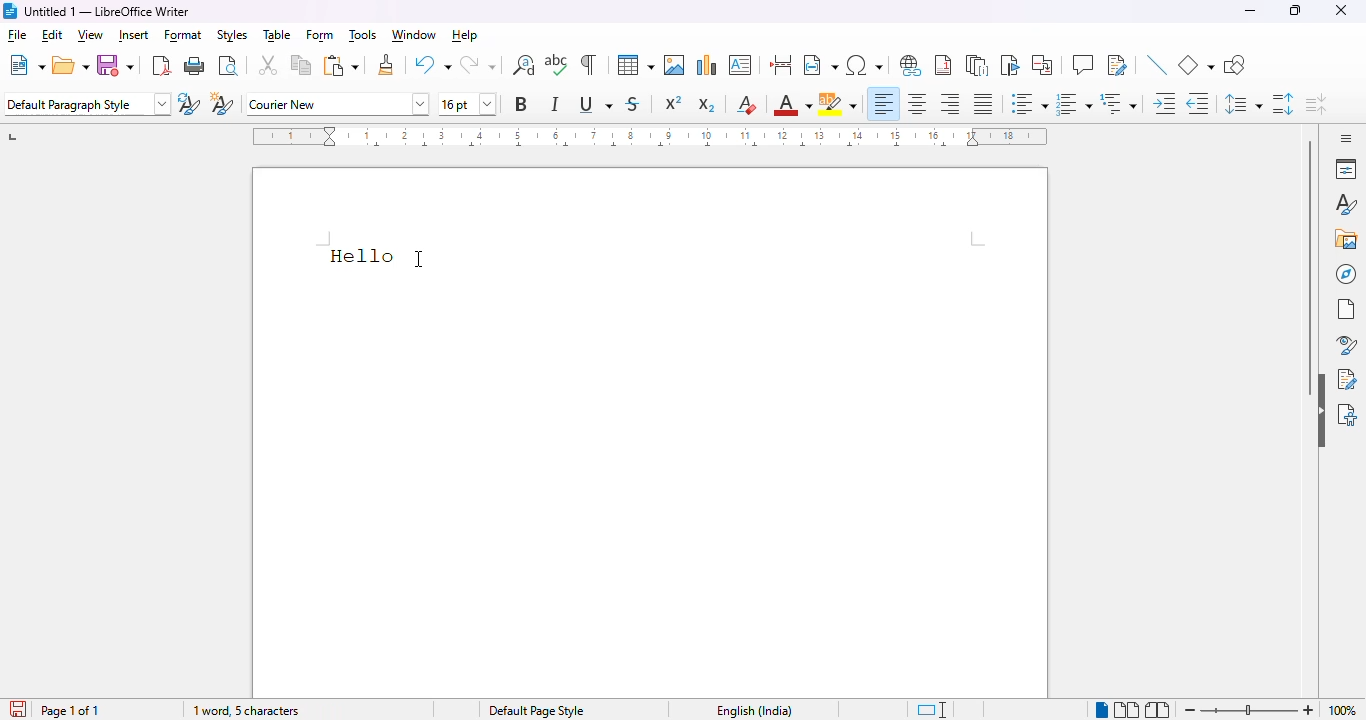  What do you see at coordinates (1198, 103) in the screenshot?
I see `decrease indent` at bounding box center [1198, 103].